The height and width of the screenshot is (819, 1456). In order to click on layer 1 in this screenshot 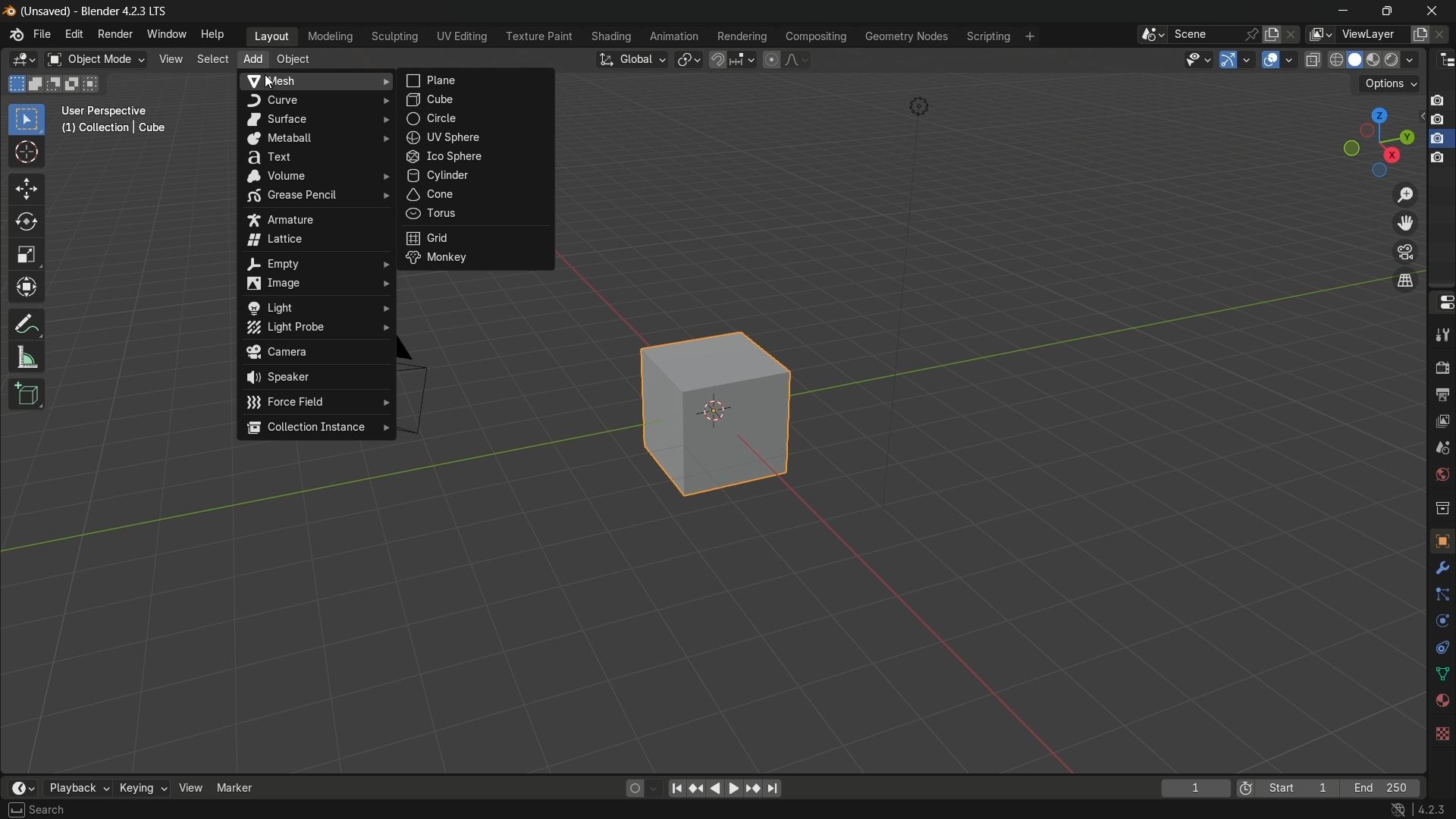, I will do `click(1437, 101)`.